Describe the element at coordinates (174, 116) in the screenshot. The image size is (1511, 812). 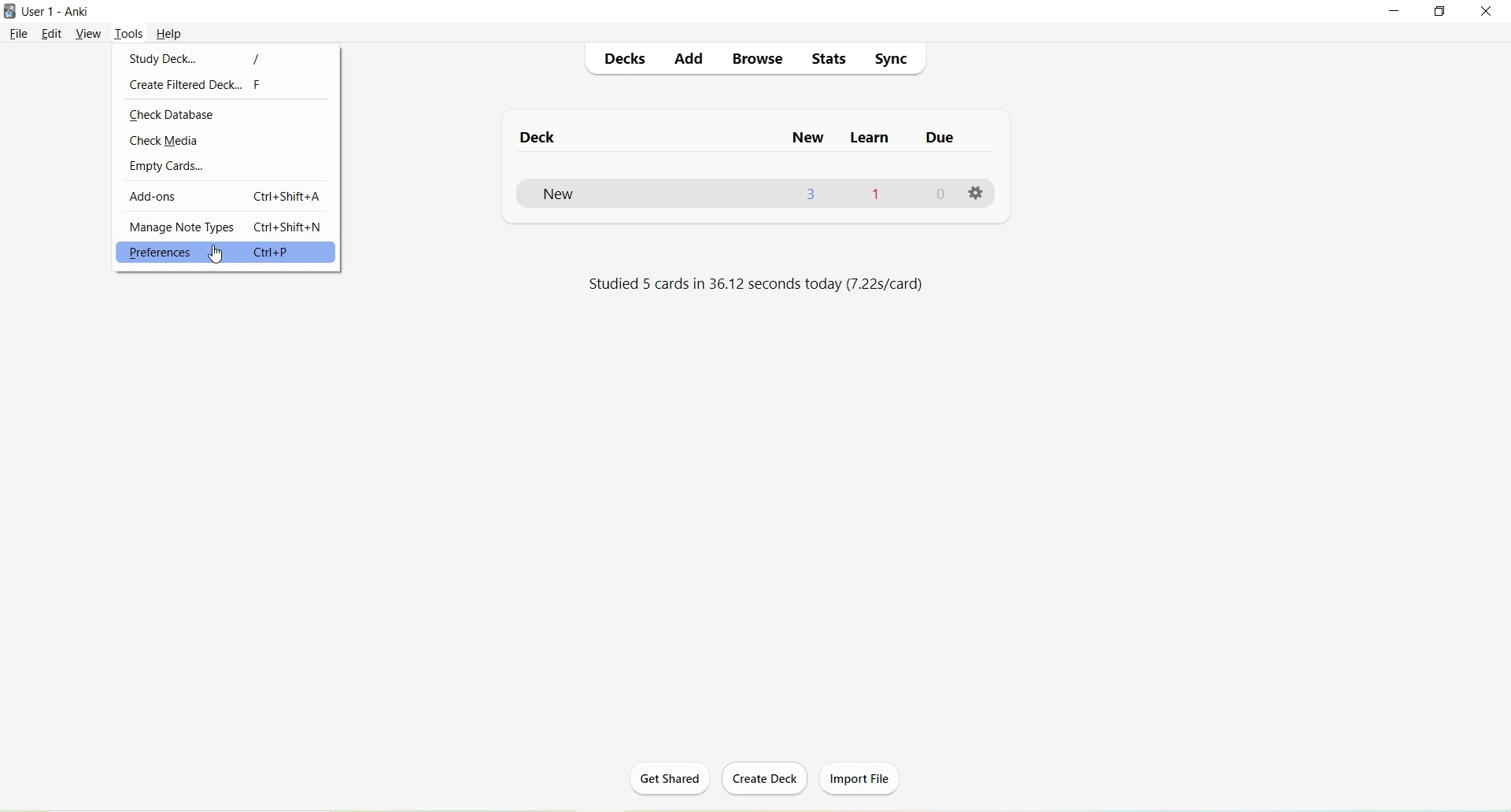
I see `Check Database` at that location.